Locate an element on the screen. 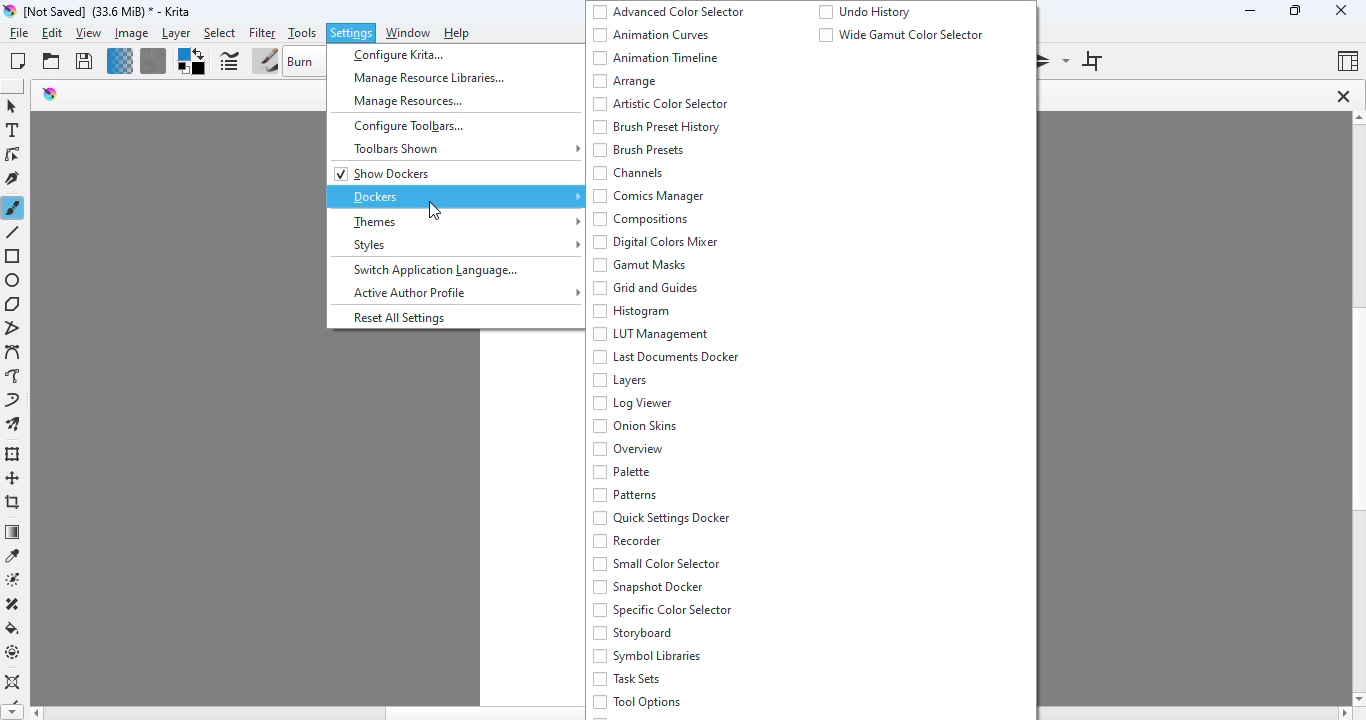 This screenshot has width=1366, height=720. crop the image to an area is located at coordinates (14, 502).